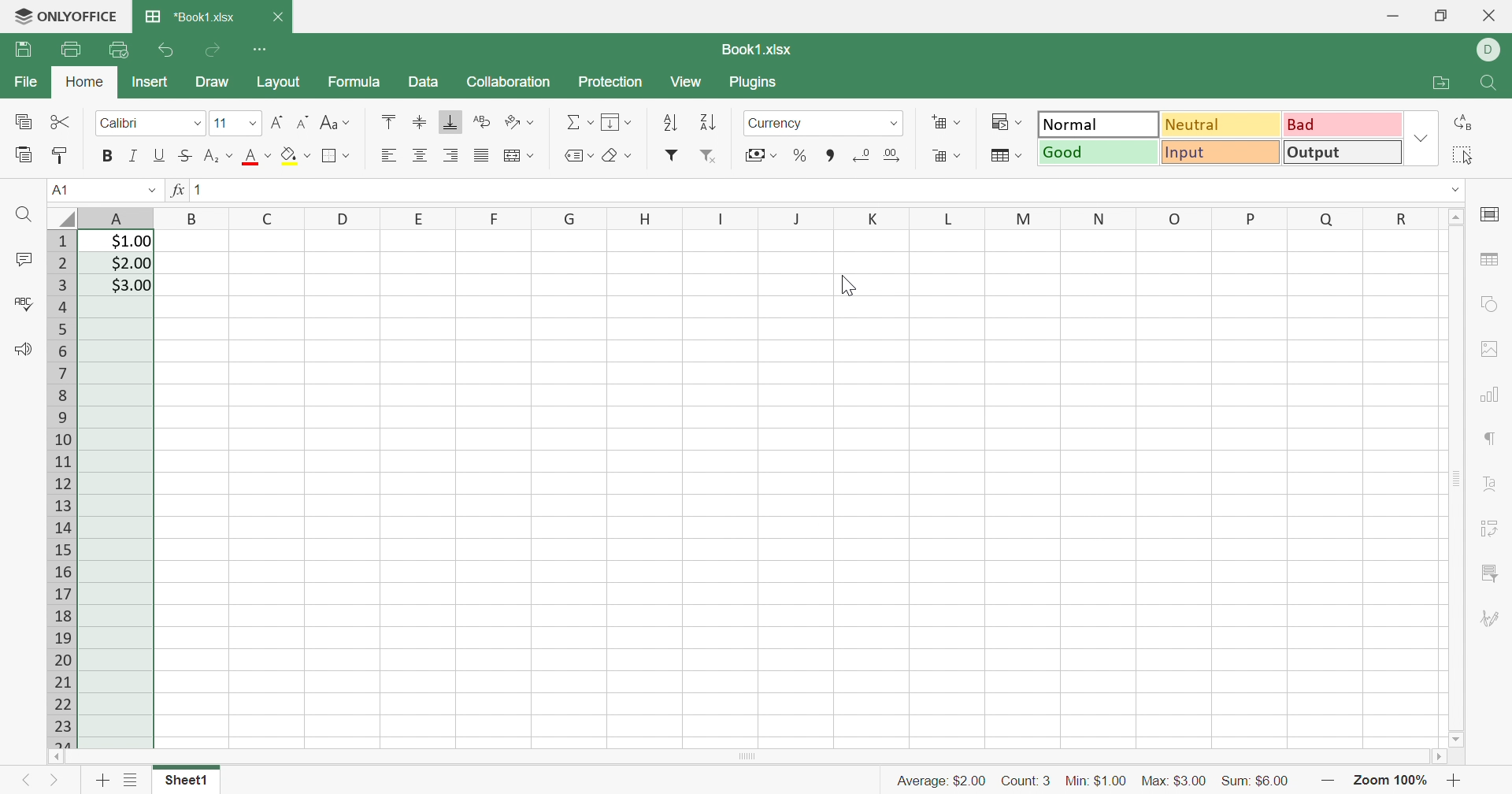 The height and width of the screenshot is (794, 1512). Describe the element at coordinates (26, 305) in the screenshot. I see `Spell checking` at that location.